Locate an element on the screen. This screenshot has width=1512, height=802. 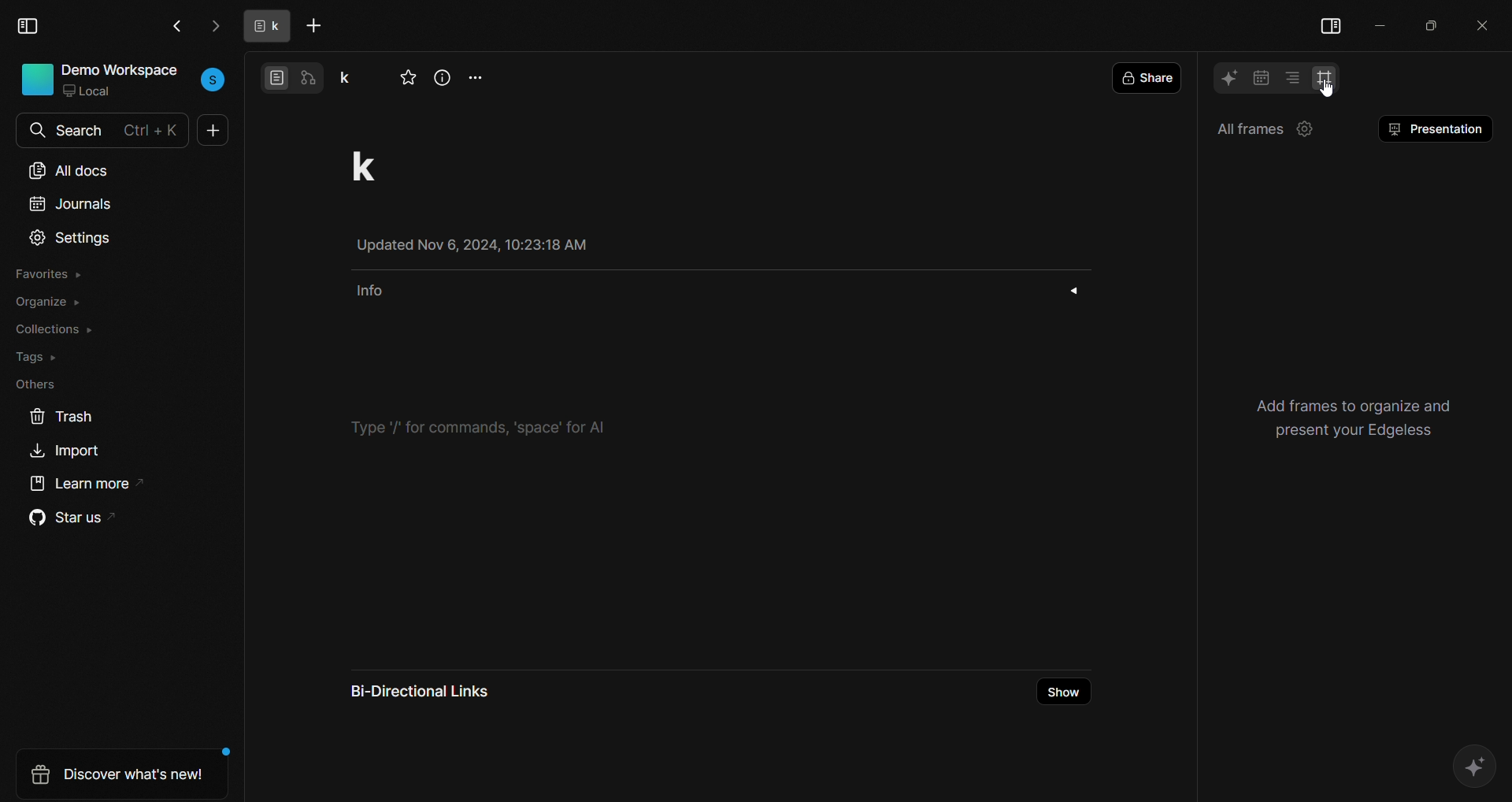
go back is located at coordinates (176, 25).